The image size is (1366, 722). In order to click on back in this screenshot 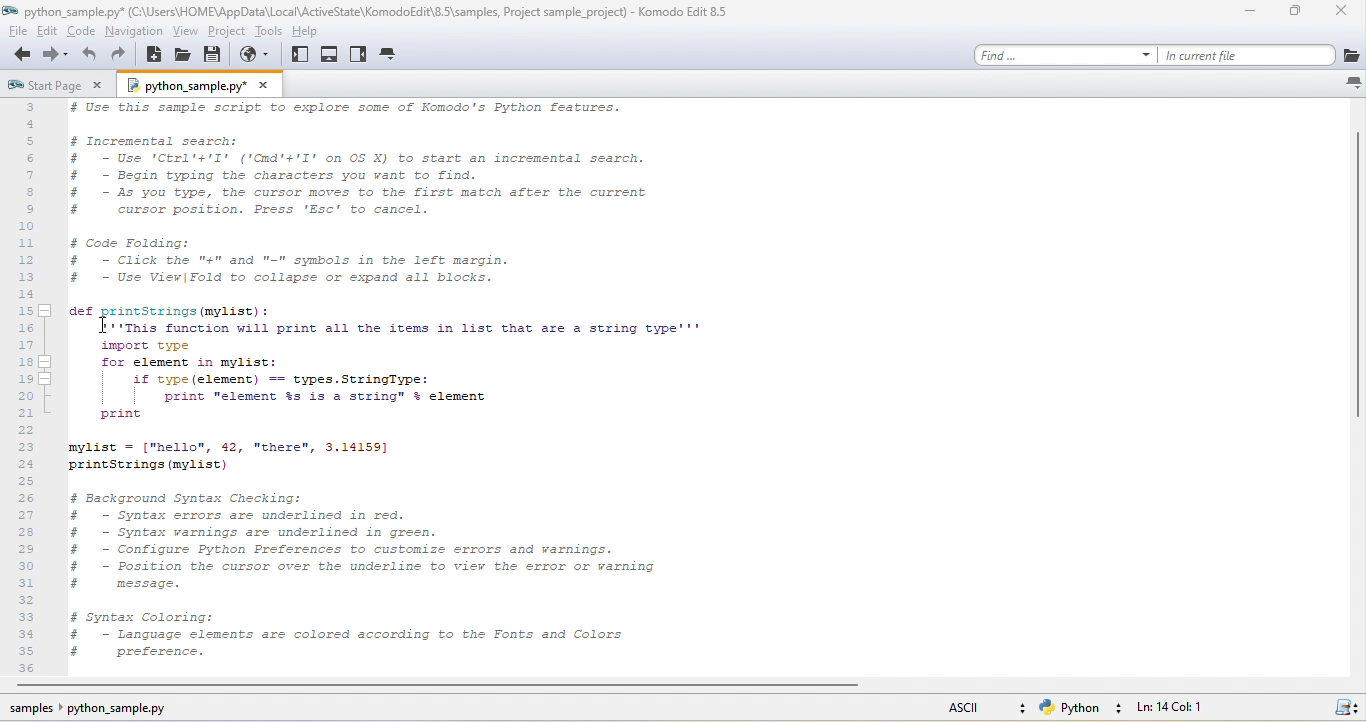, I will do `click(19, 57)`.